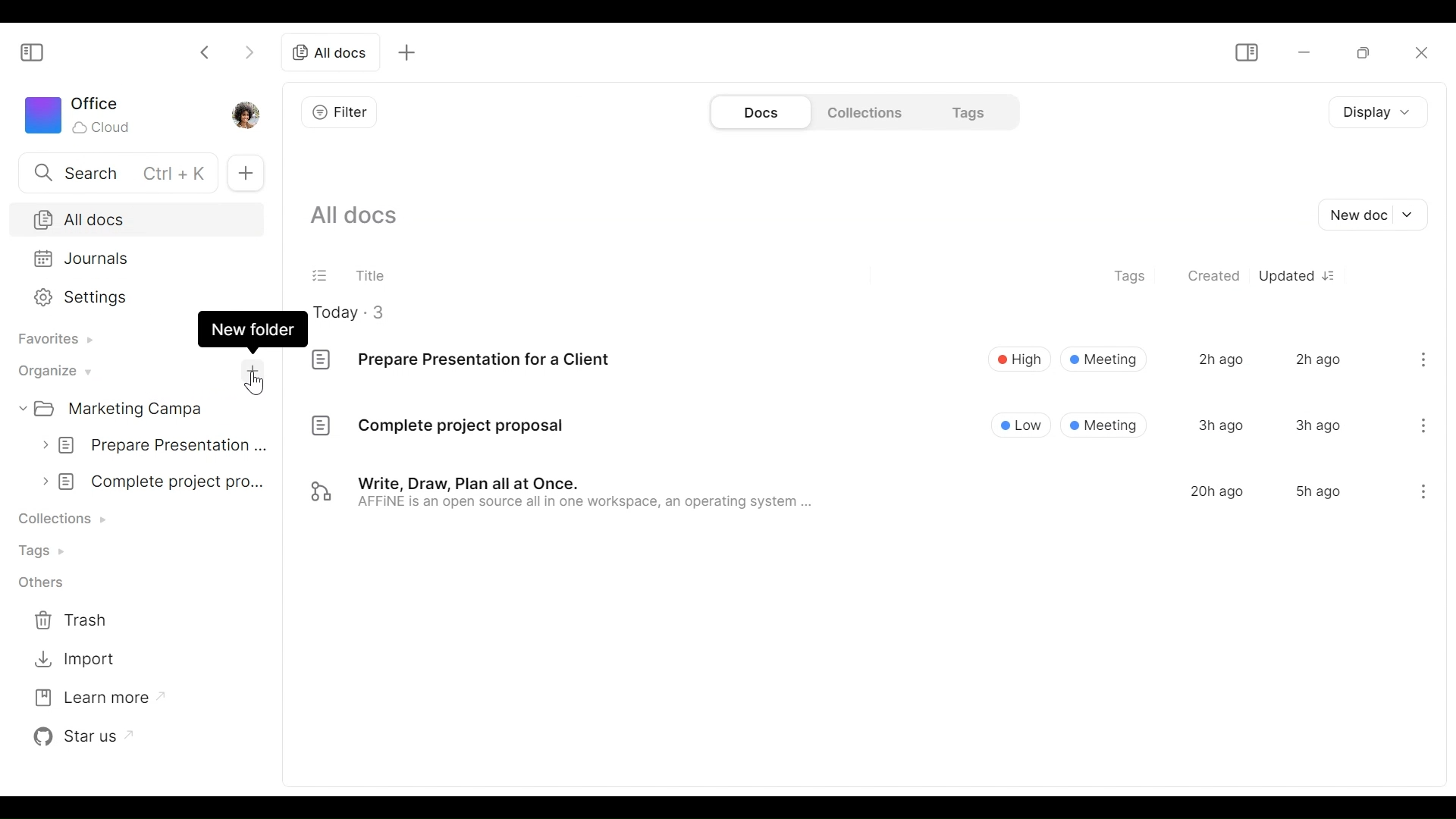 The height and width of the screenshot is (819, 1456). What do you see at coordinates (321, 274) in the screenshot?
I see `(un)select` at bounding box center [321, 274].